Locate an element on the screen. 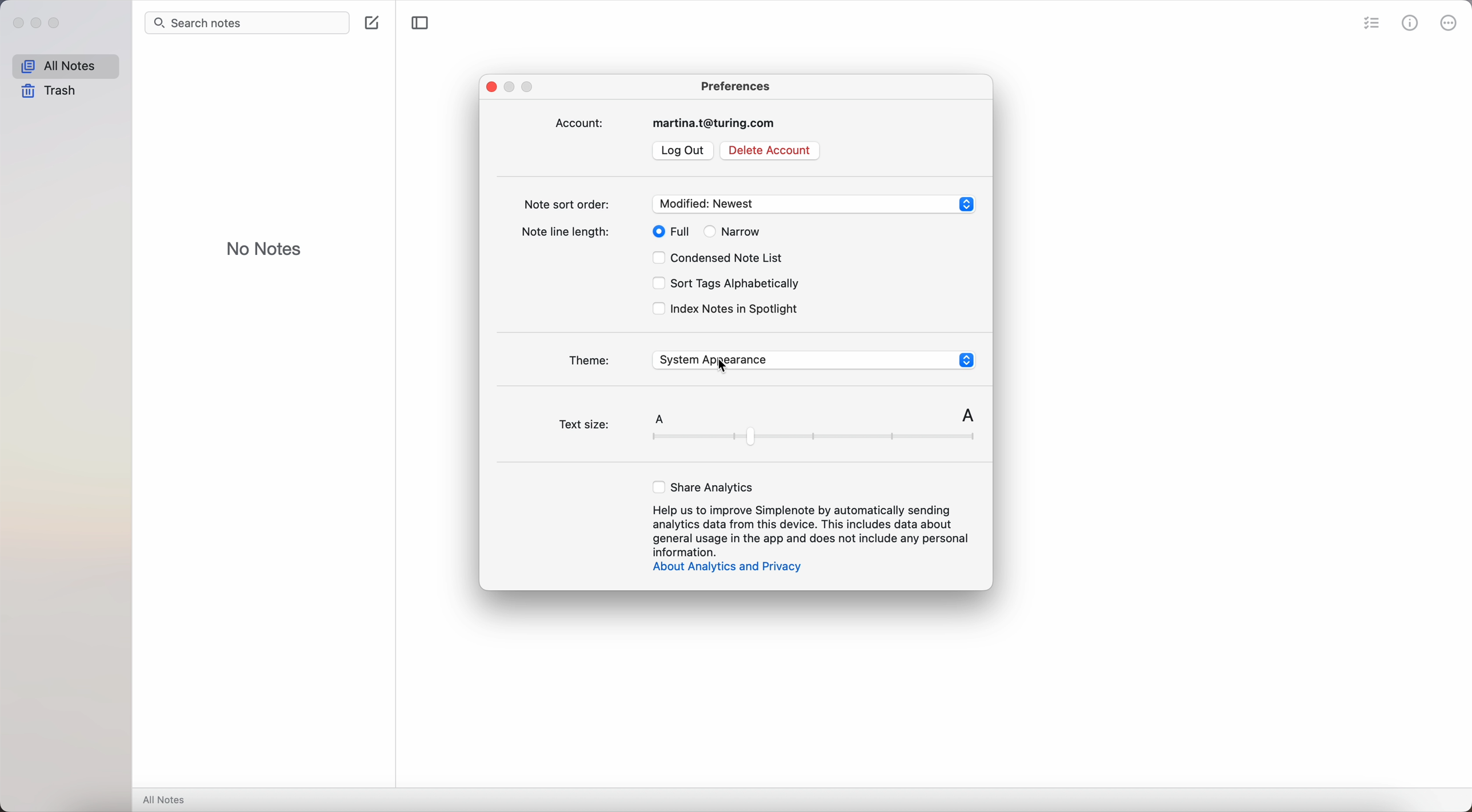 Image resolution: width=1472 pixels, height=812 pixels. sort tags alphabetically is located at coordinates (724, 285).